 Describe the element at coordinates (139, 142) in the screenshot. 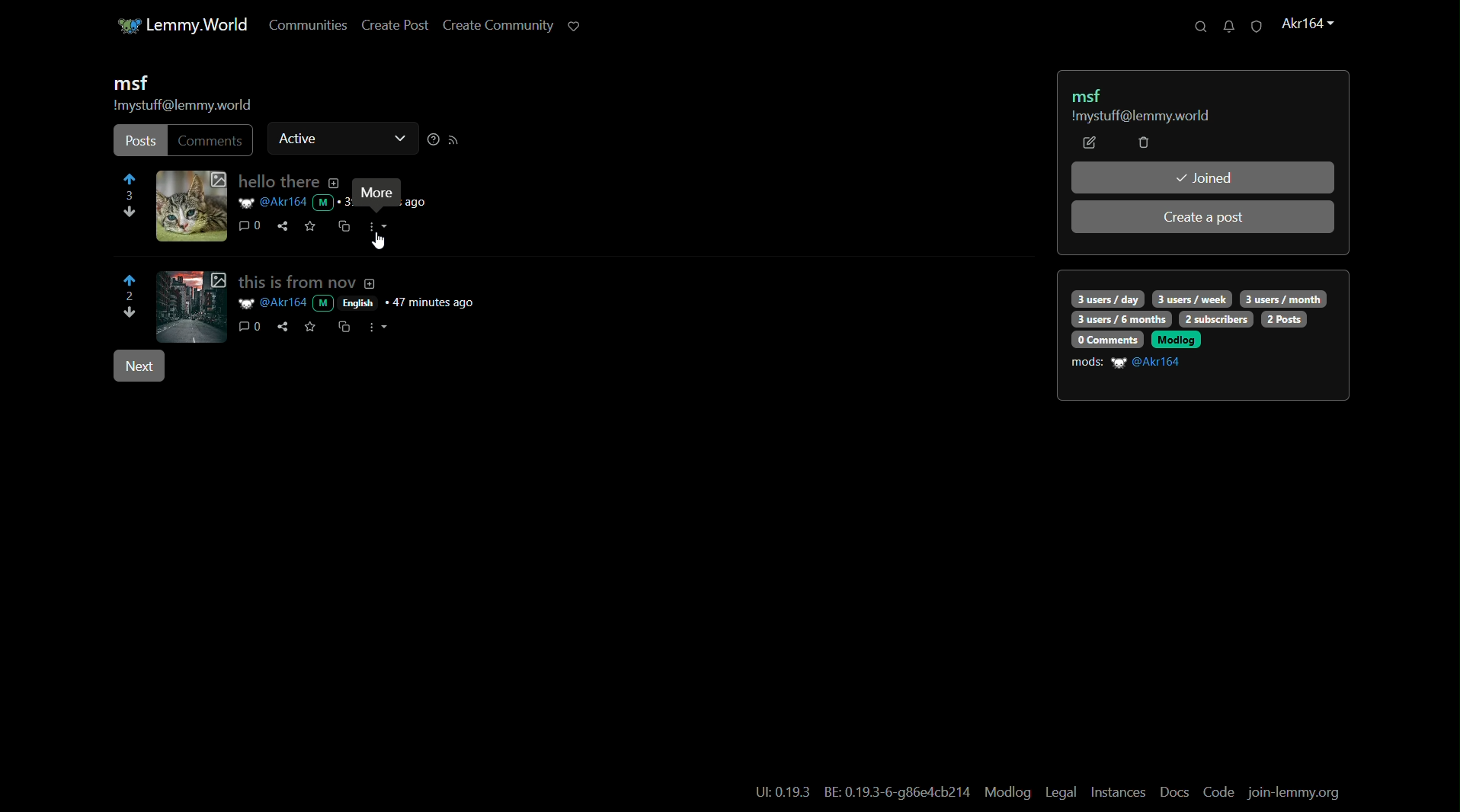

I see `post` at that location.